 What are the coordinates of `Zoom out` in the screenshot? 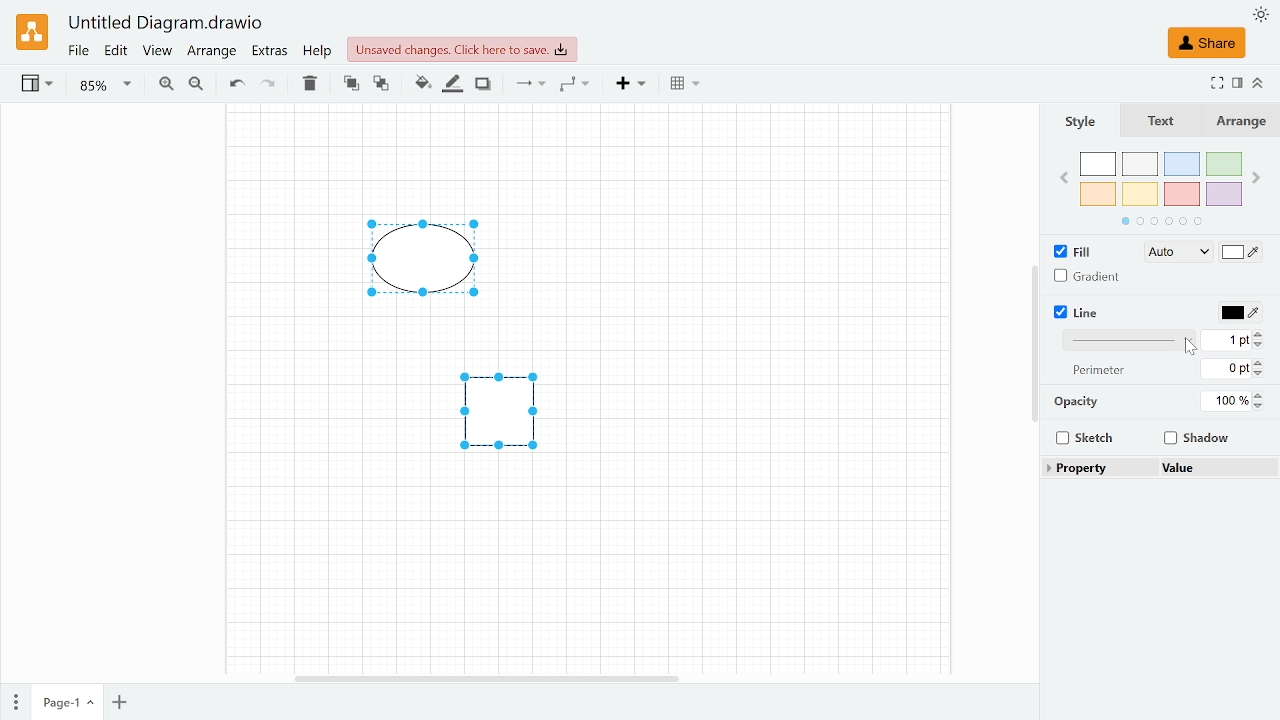 It's located at (196, 85).